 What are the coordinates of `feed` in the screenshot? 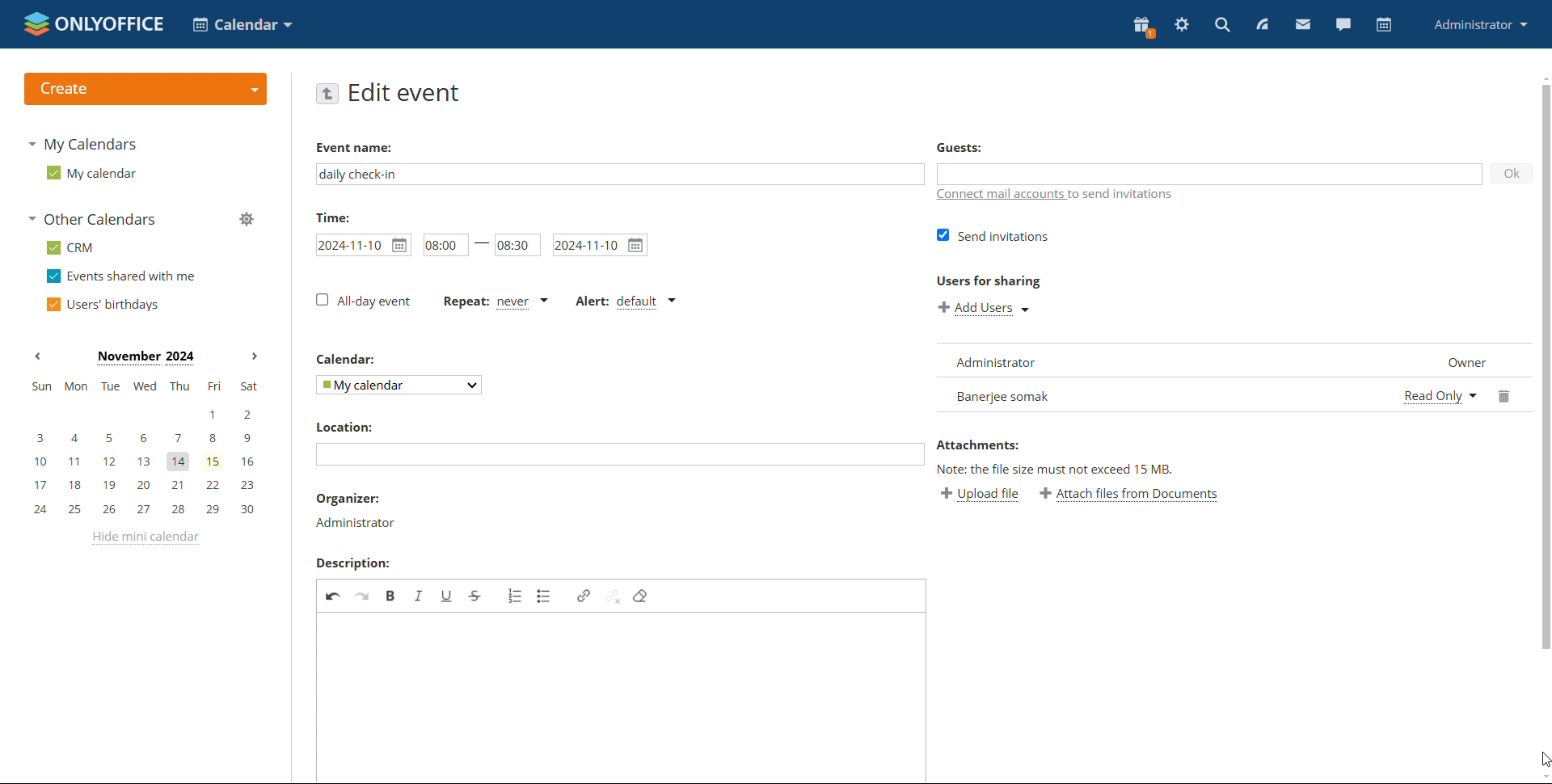 It's located at (1261, 24).